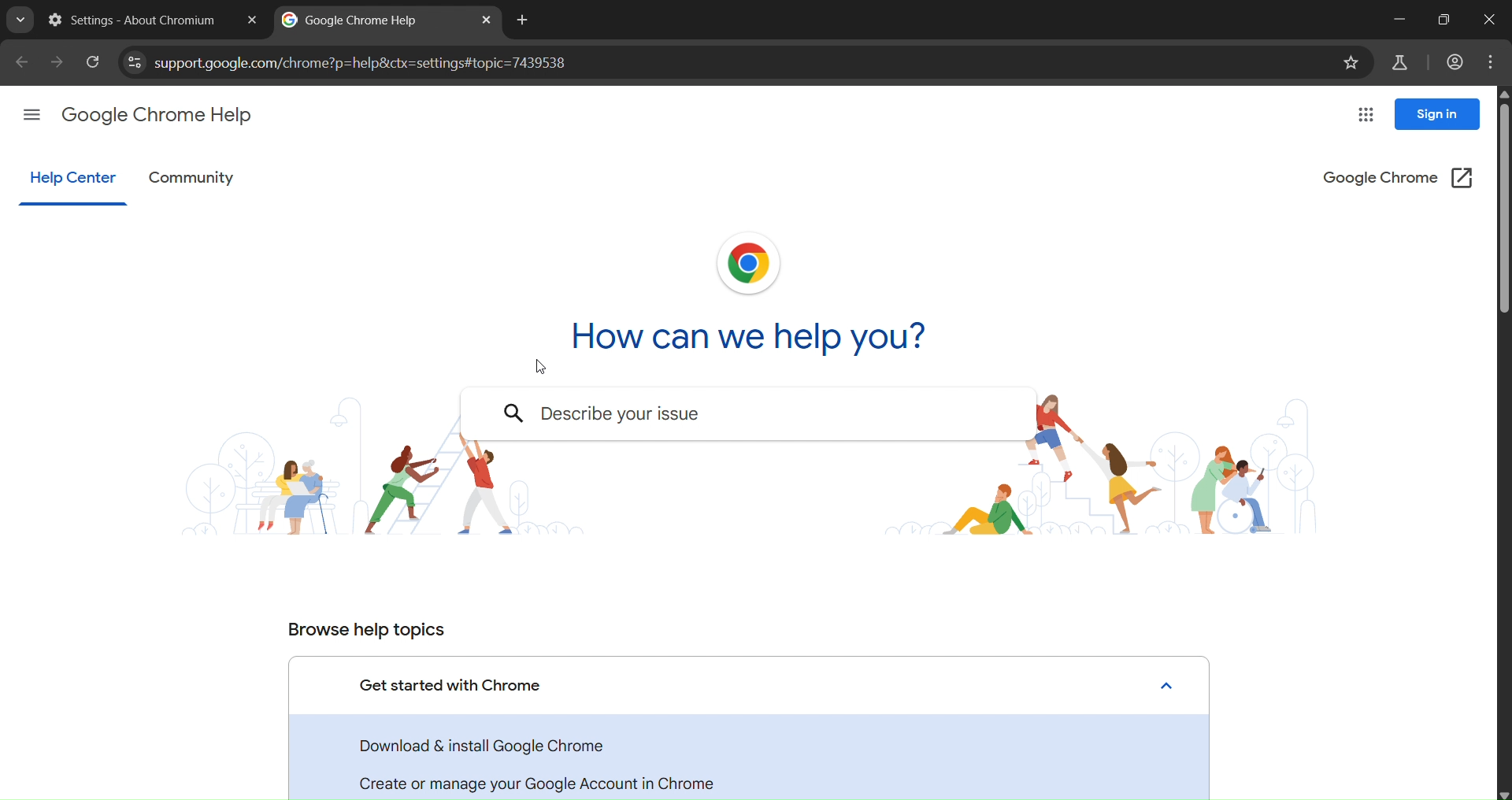  I want to click on sign in, so click(1438, 113).